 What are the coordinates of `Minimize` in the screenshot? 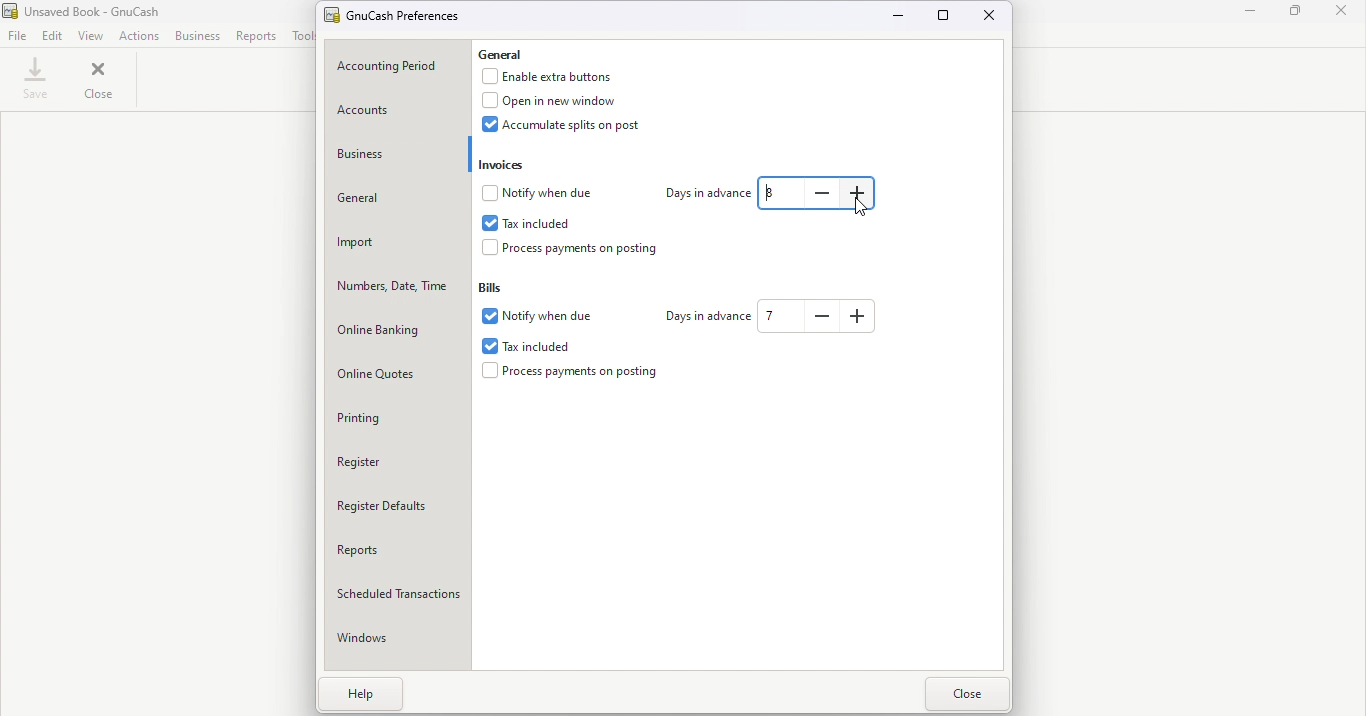 It's located at (903, 18).